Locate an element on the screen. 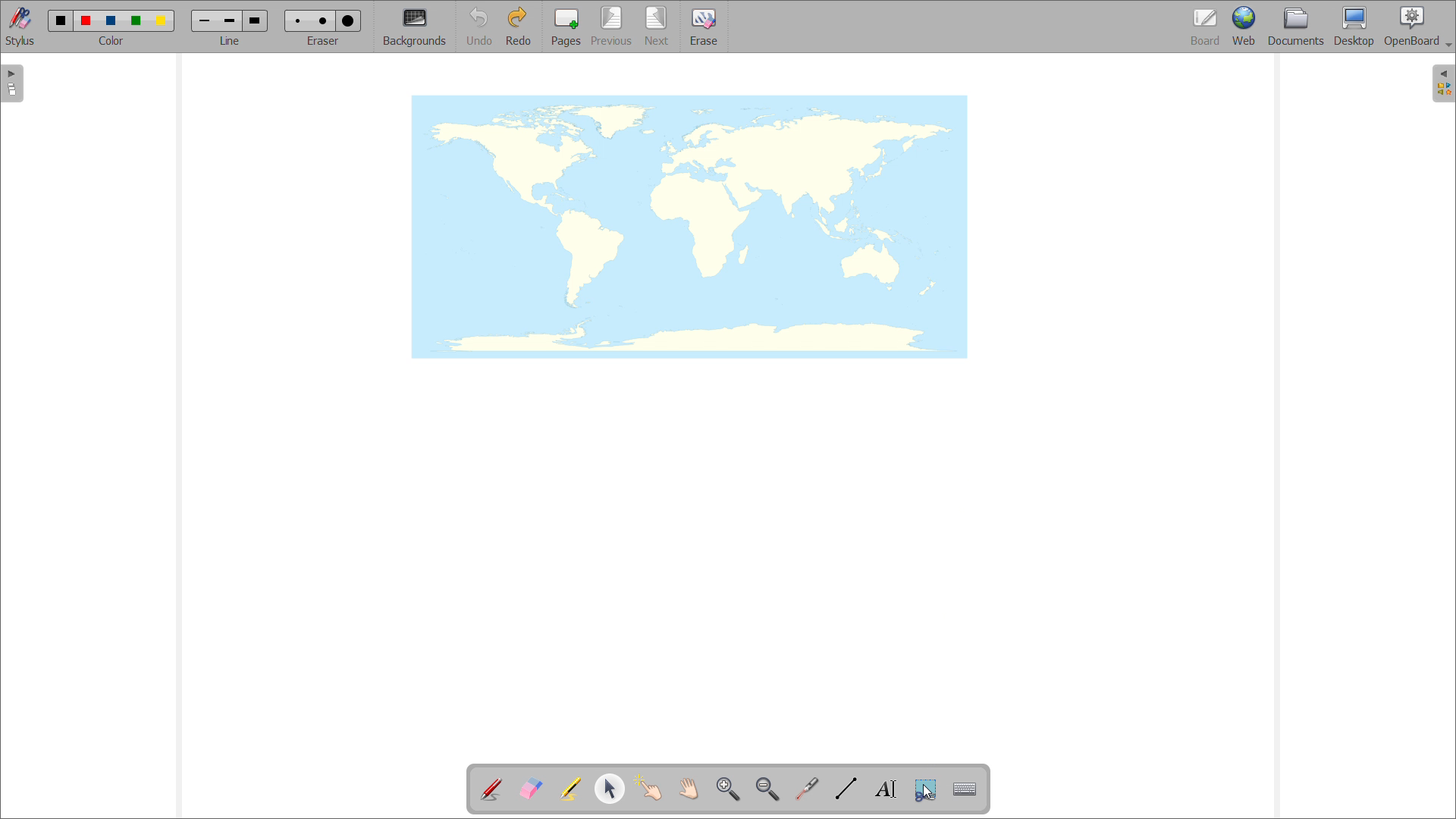  next page is located at coordinates (657, 26).